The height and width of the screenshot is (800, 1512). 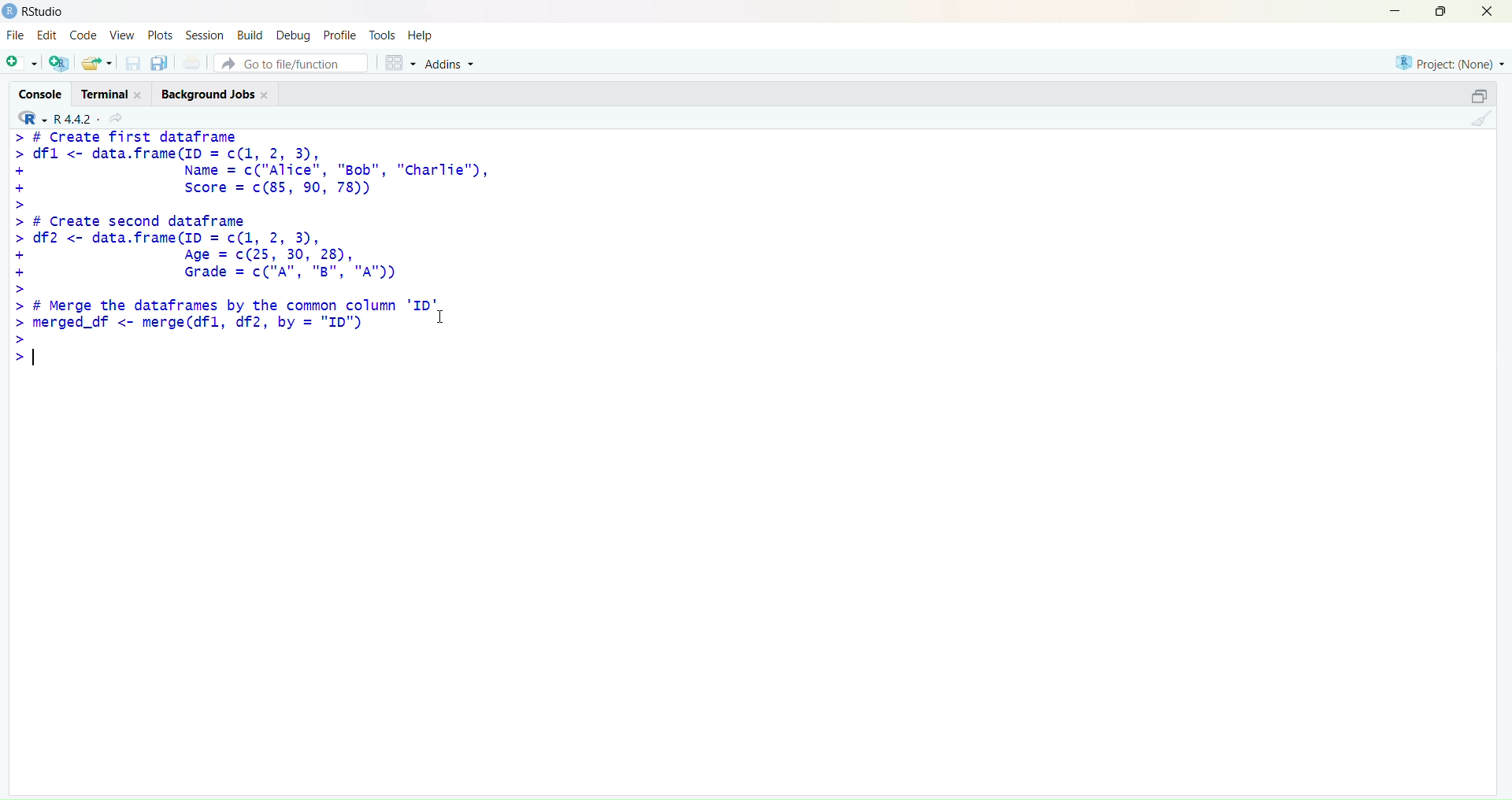 I want to click on clear console, so click(x=1482, y=119).